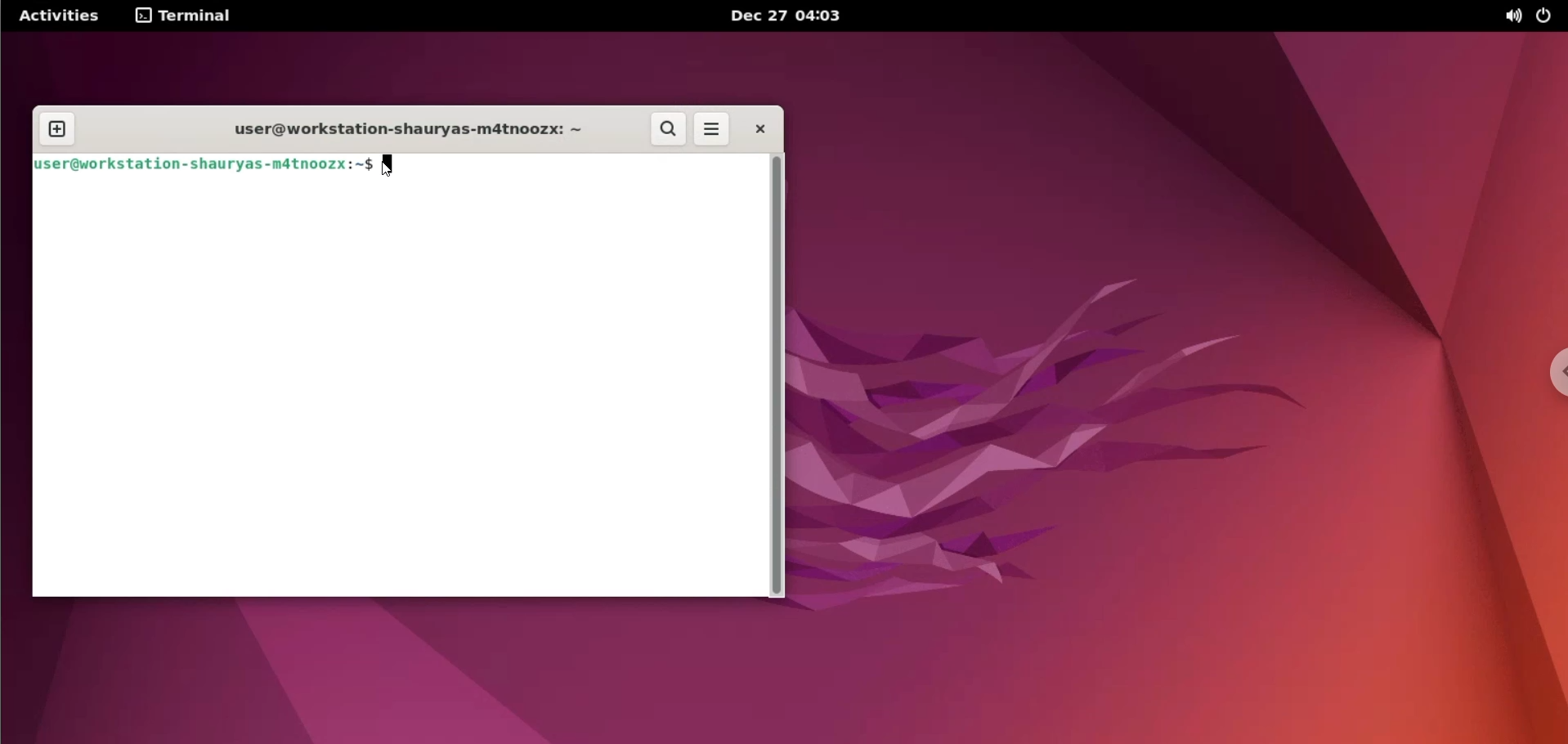 The image size is (1568, 744). I want to click on user@workstation-shauryas-m4tnoozx:-, so click(395, 127).